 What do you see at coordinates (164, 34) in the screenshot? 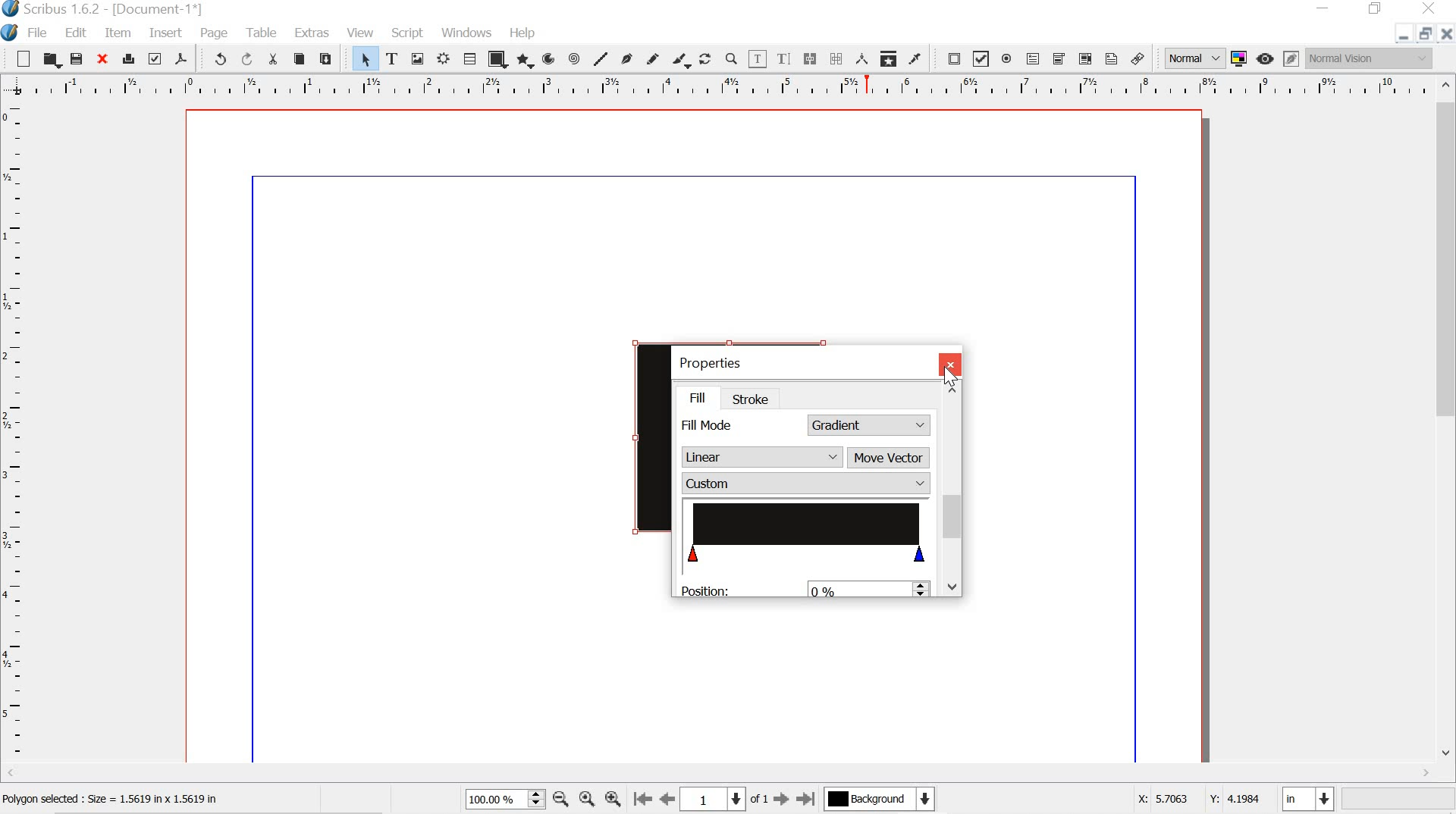
I see `insert` at bounding box center [164, 34].